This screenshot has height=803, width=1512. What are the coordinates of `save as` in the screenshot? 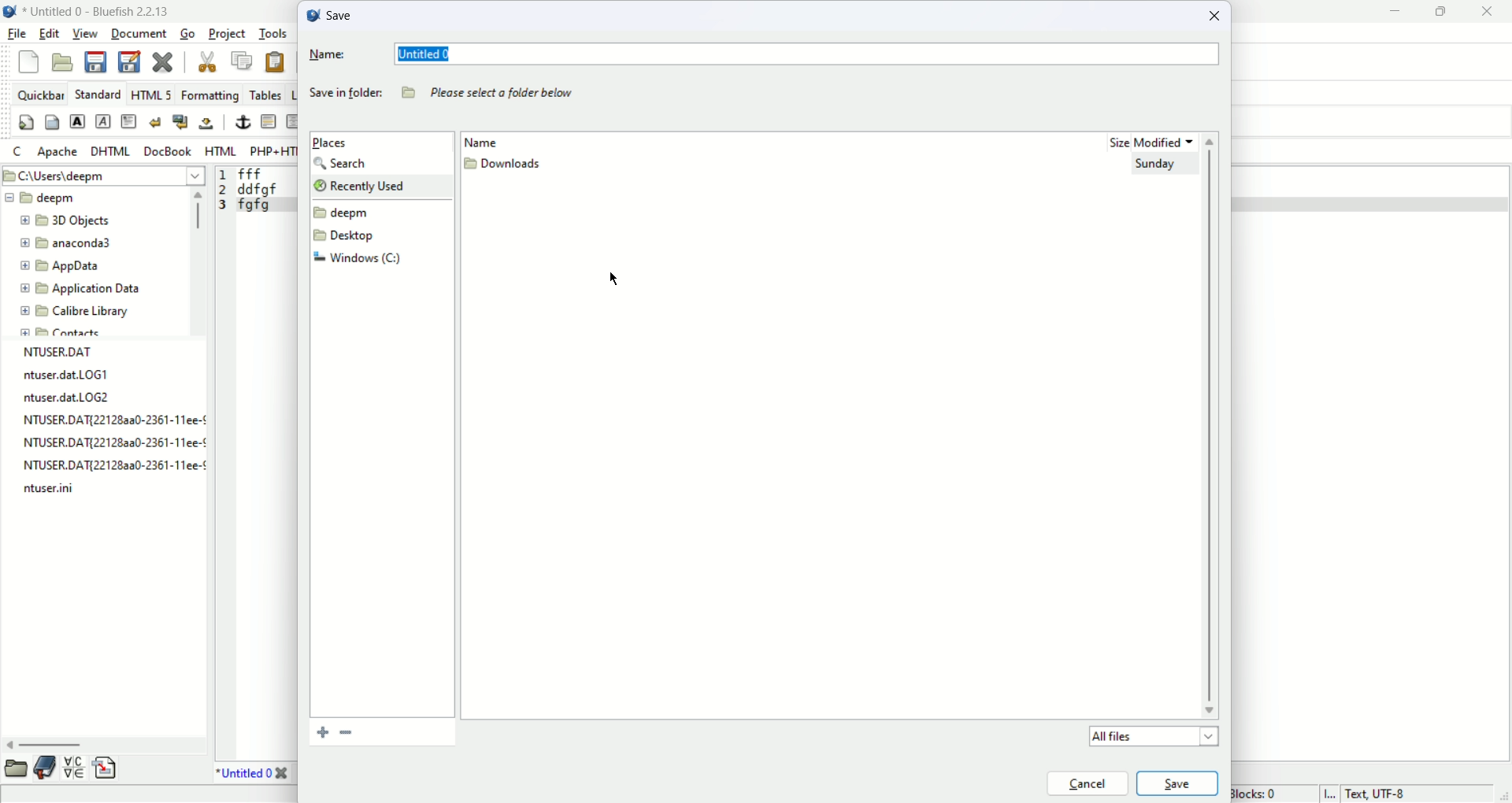 It's located at (132, 61).